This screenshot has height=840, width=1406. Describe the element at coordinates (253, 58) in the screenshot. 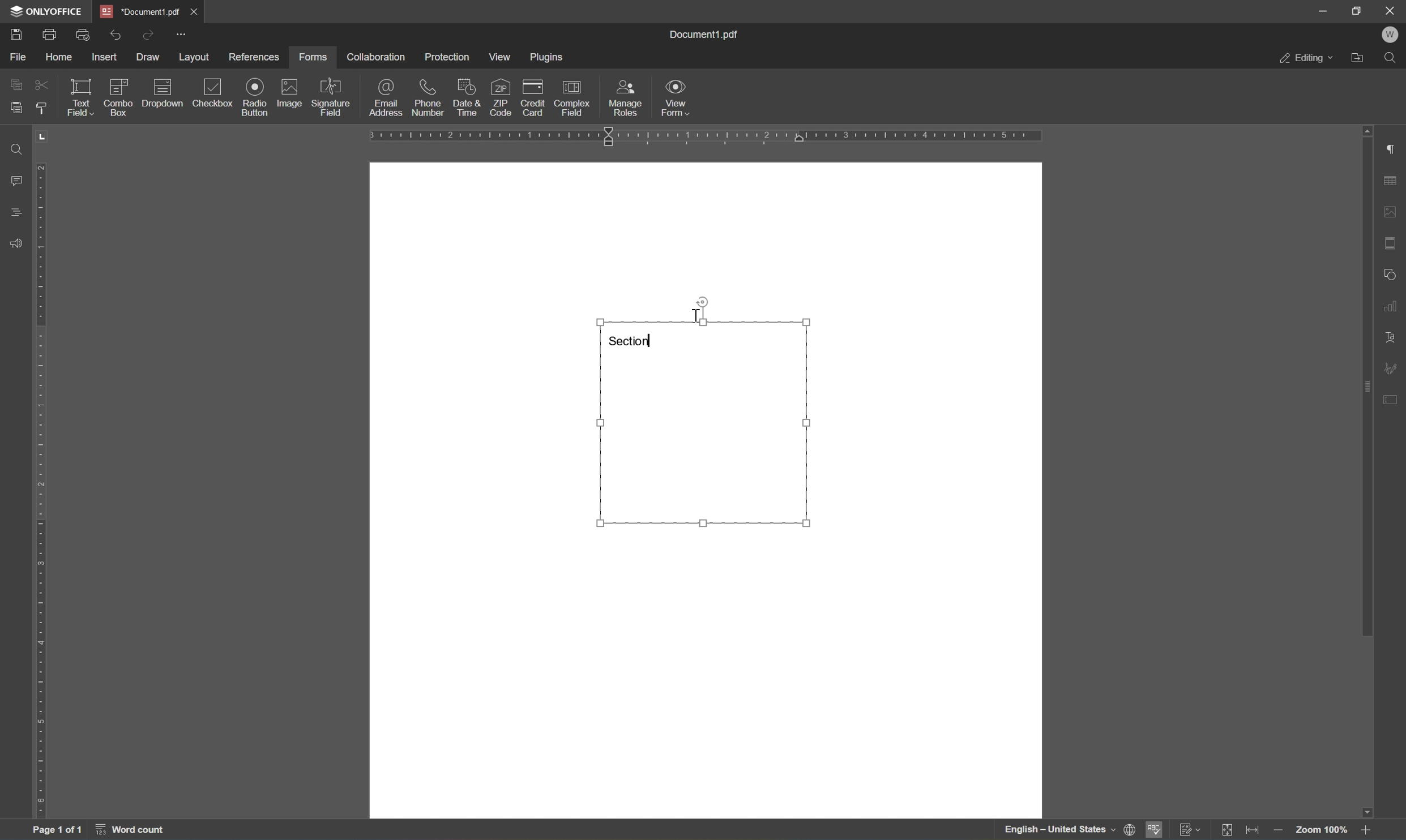

I see `references` at that location.